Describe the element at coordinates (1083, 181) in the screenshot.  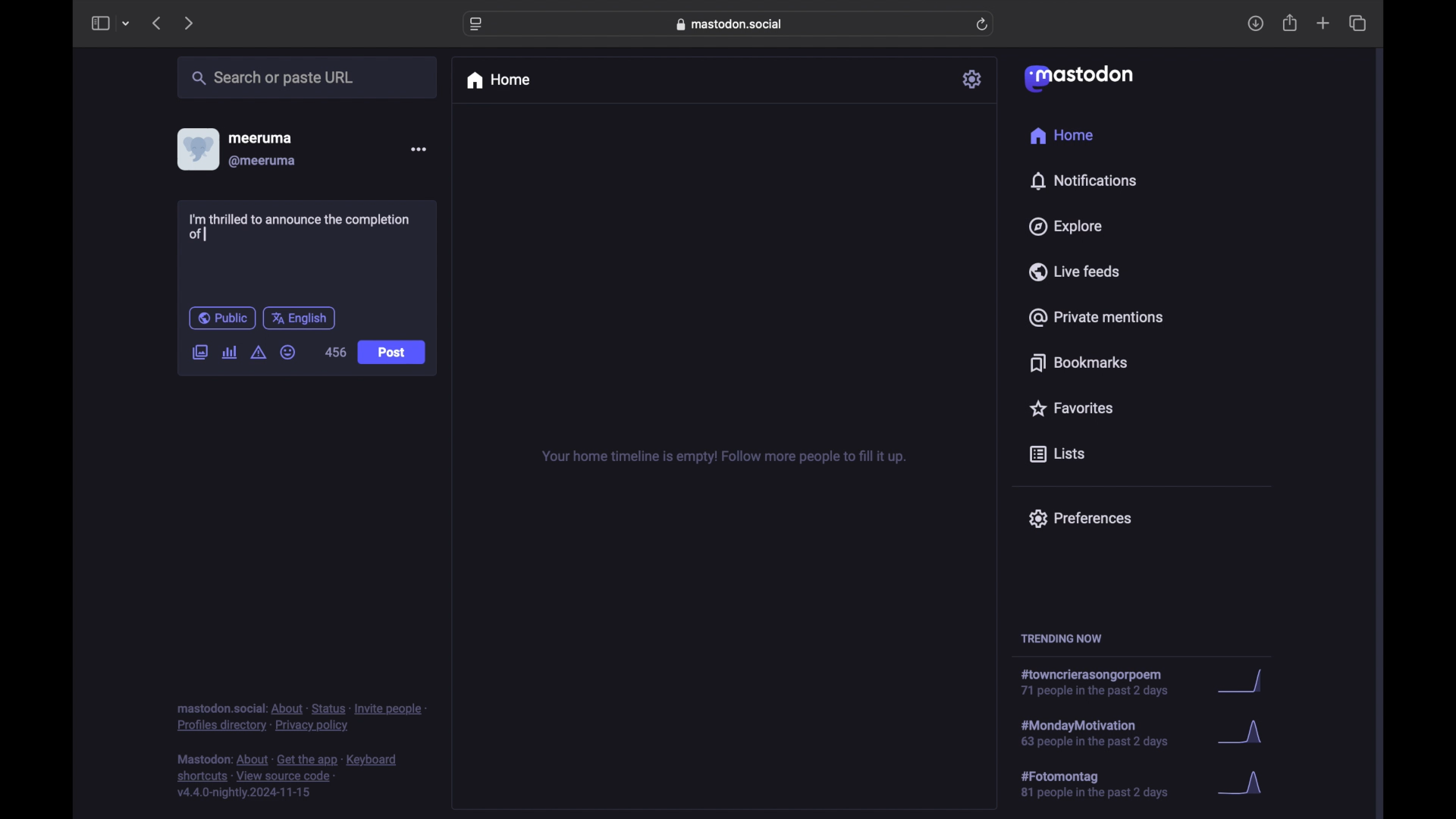
I see `notifications` at that location.